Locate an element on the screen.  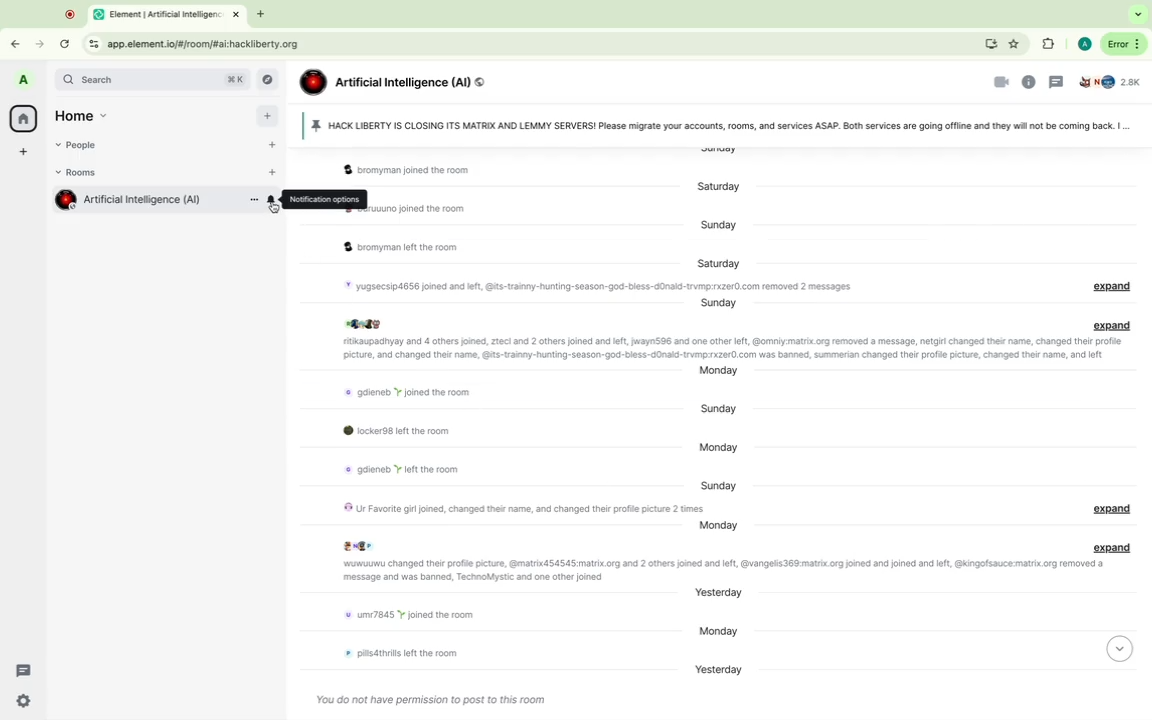
Refresh is located at coordinates (64, 43).